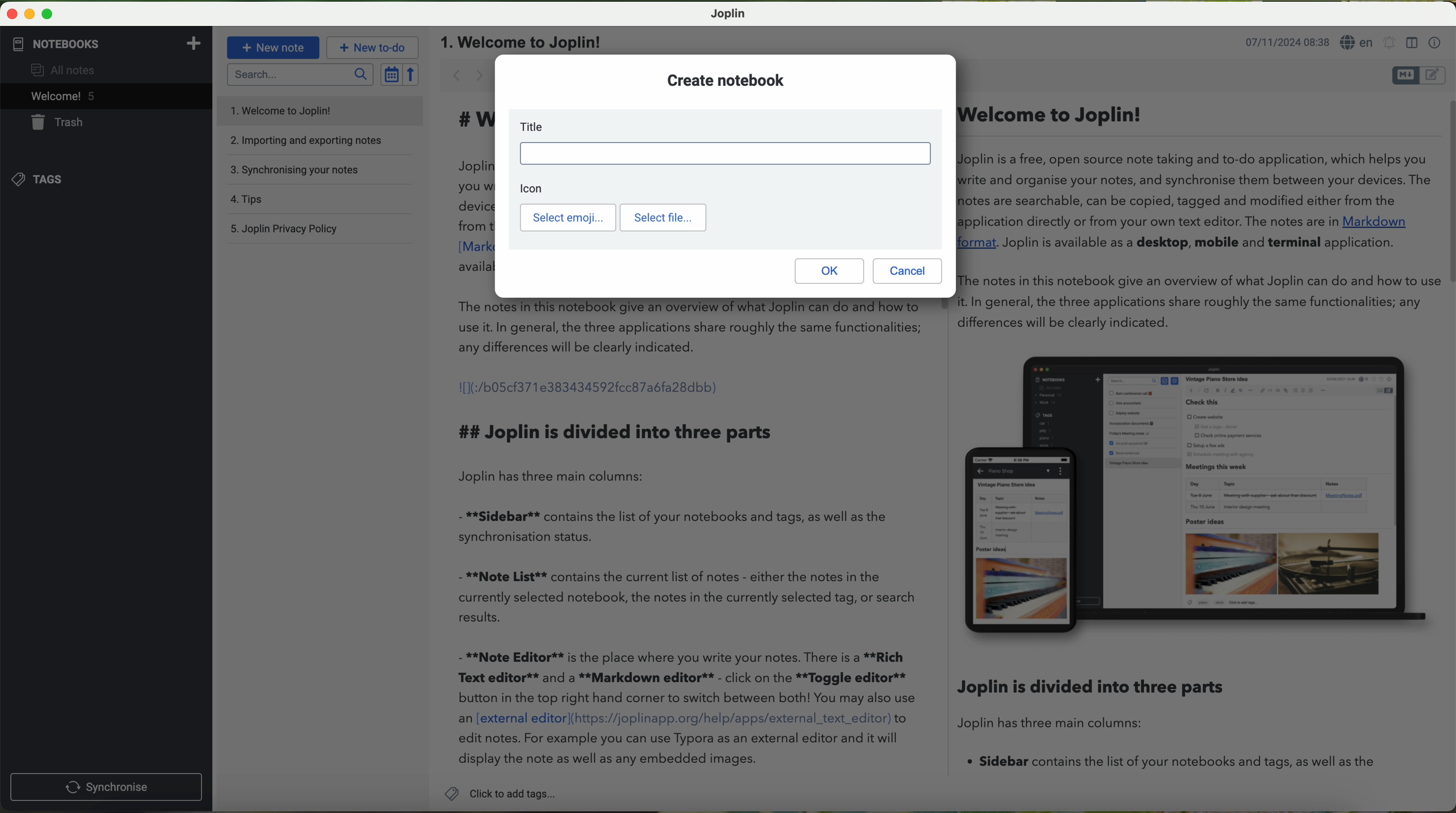 The height and width of the screenshot is (813, 1456). I want to click on add tags, so click(500, 795).